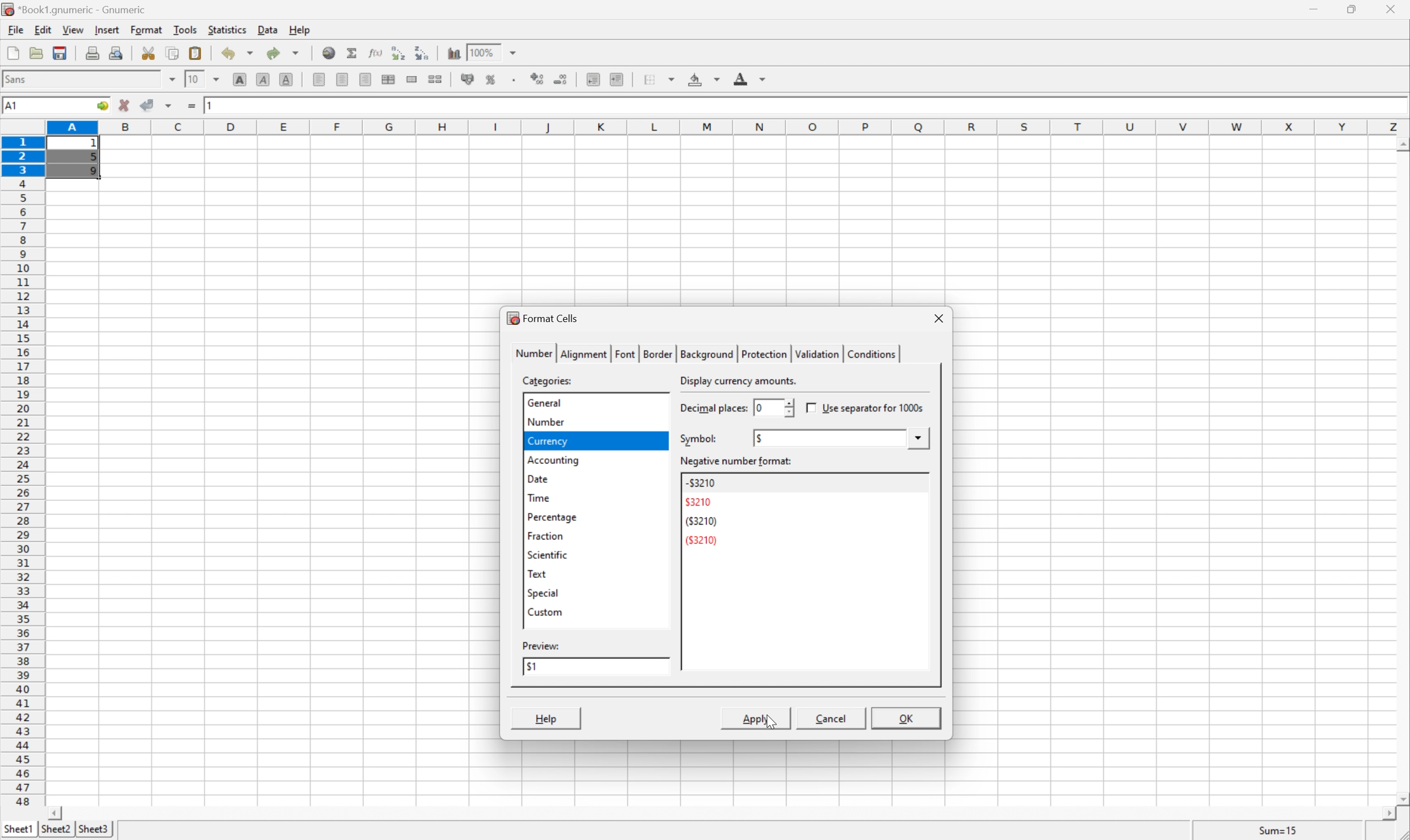 The height and width of the screenshot is (840, 1410). I want to click on align left, so click(320, 79).